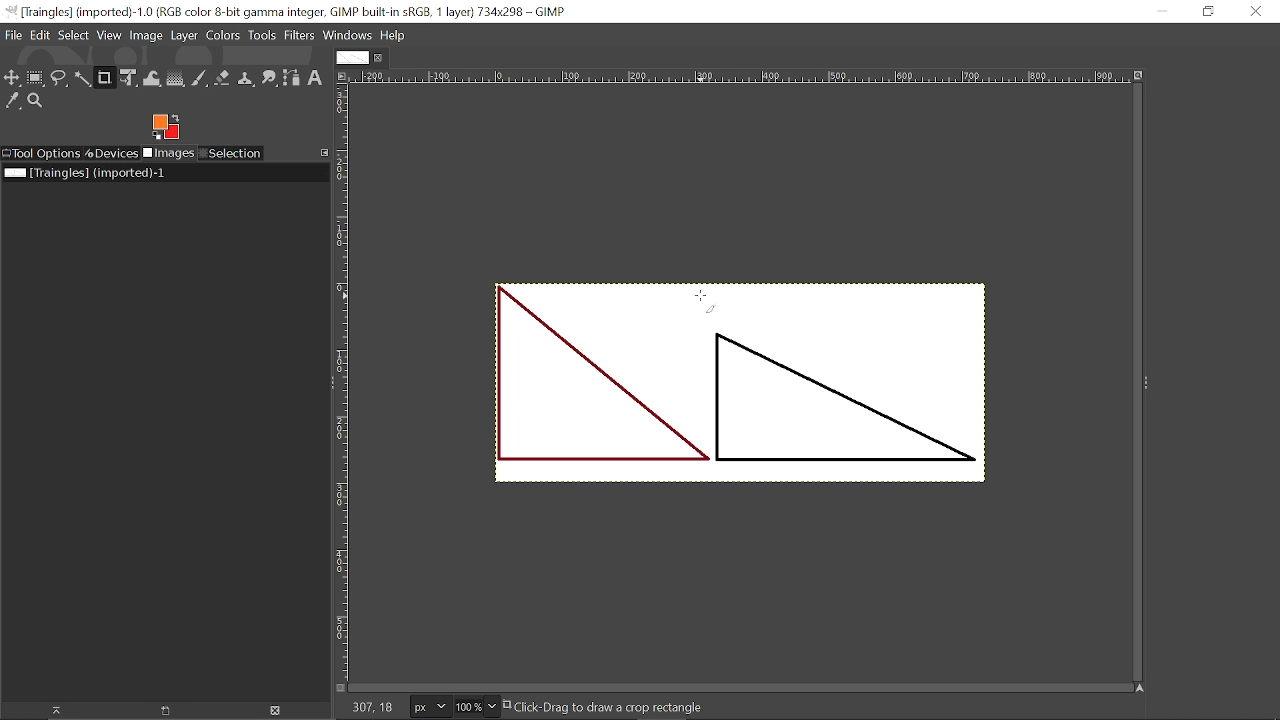 Image resolution: width=1280 pixels, height=720 pixels. What do you see at coordinates (60, 79) in the screenshot?
I see `Free select tool` at bounding box center [60, 79].